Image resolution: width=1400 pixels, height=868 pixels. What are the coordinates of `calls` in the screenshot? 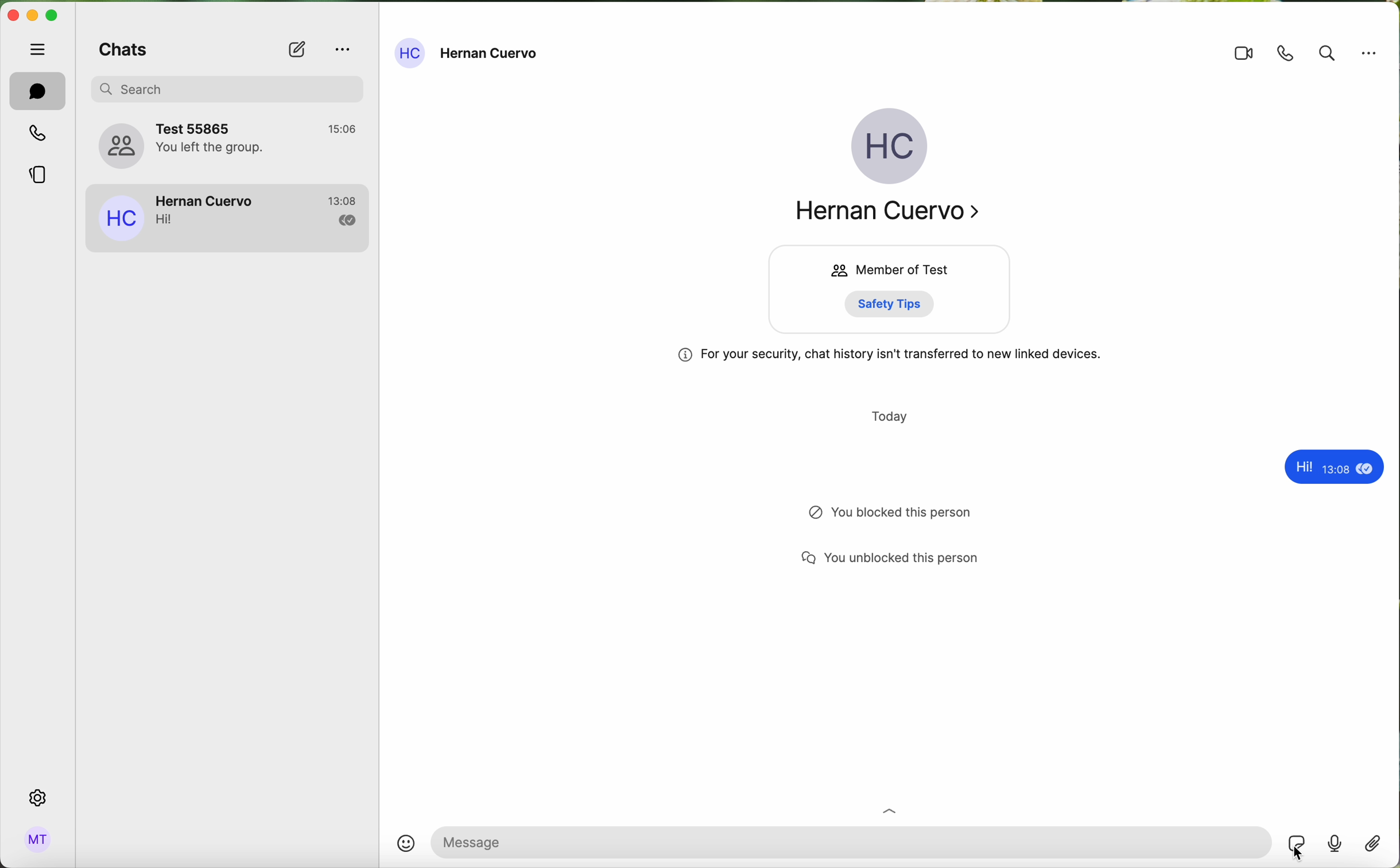 It's located at (36, 135).